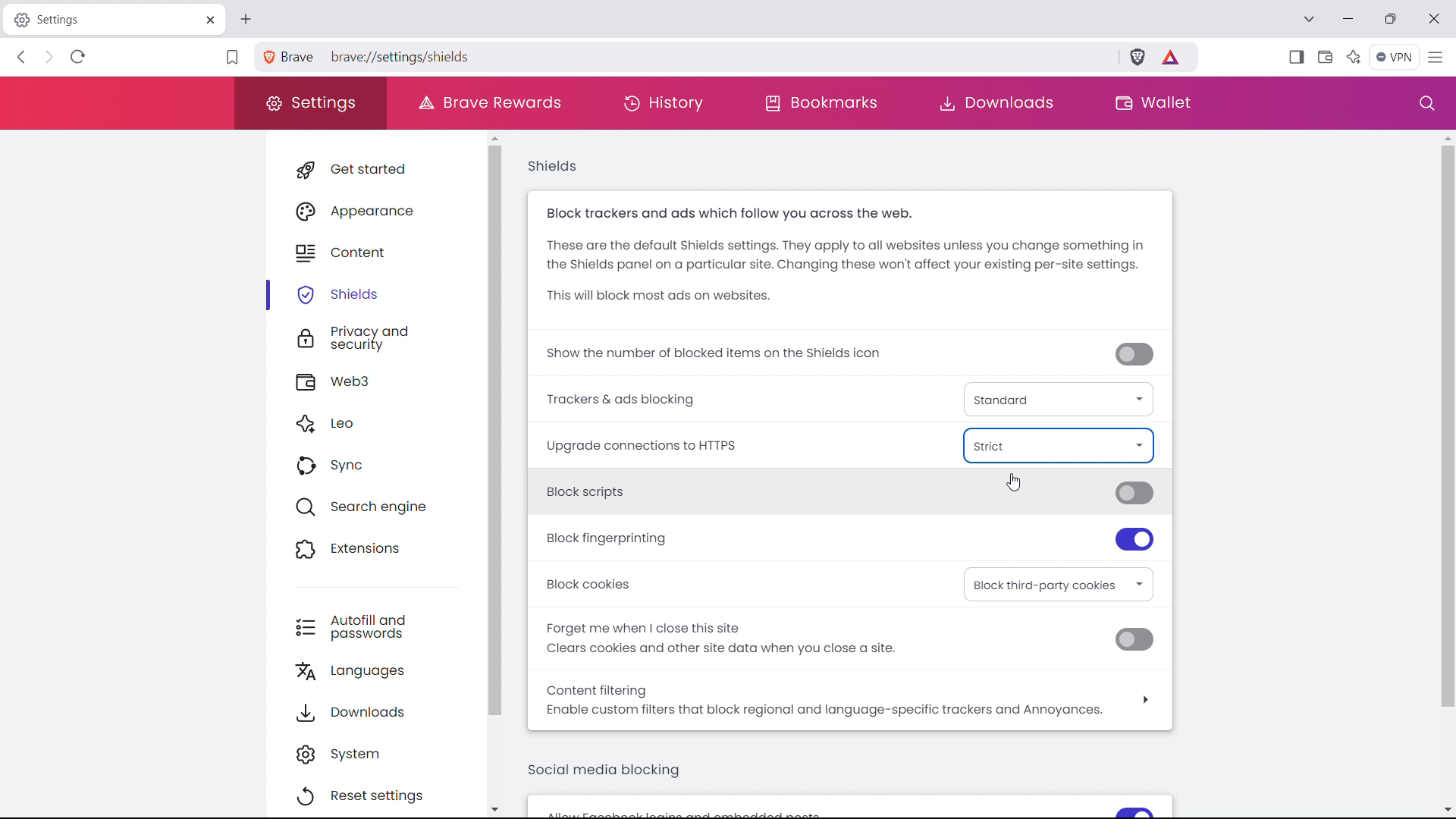  I want to click on scroll up, so click(1445, 136).